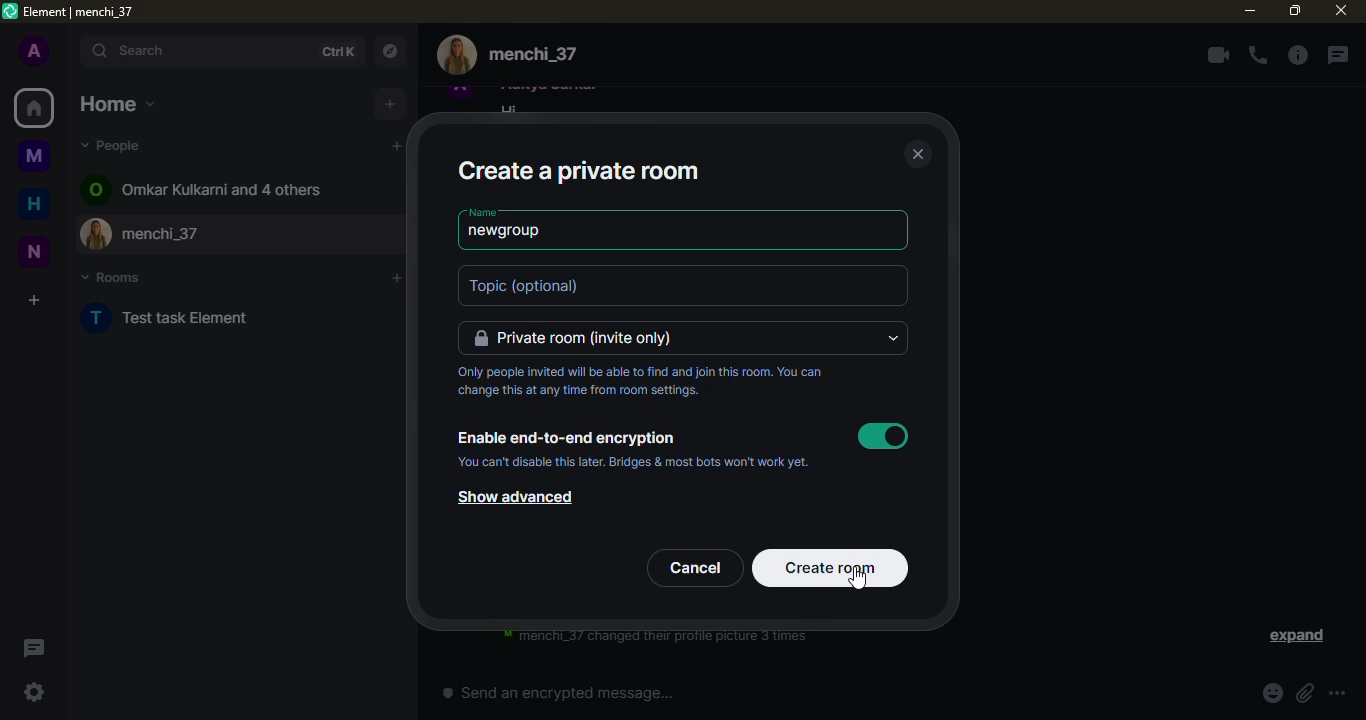 The width and height of the screenshot is (1366, 720). I want to click on drop down, so click(893, 338).